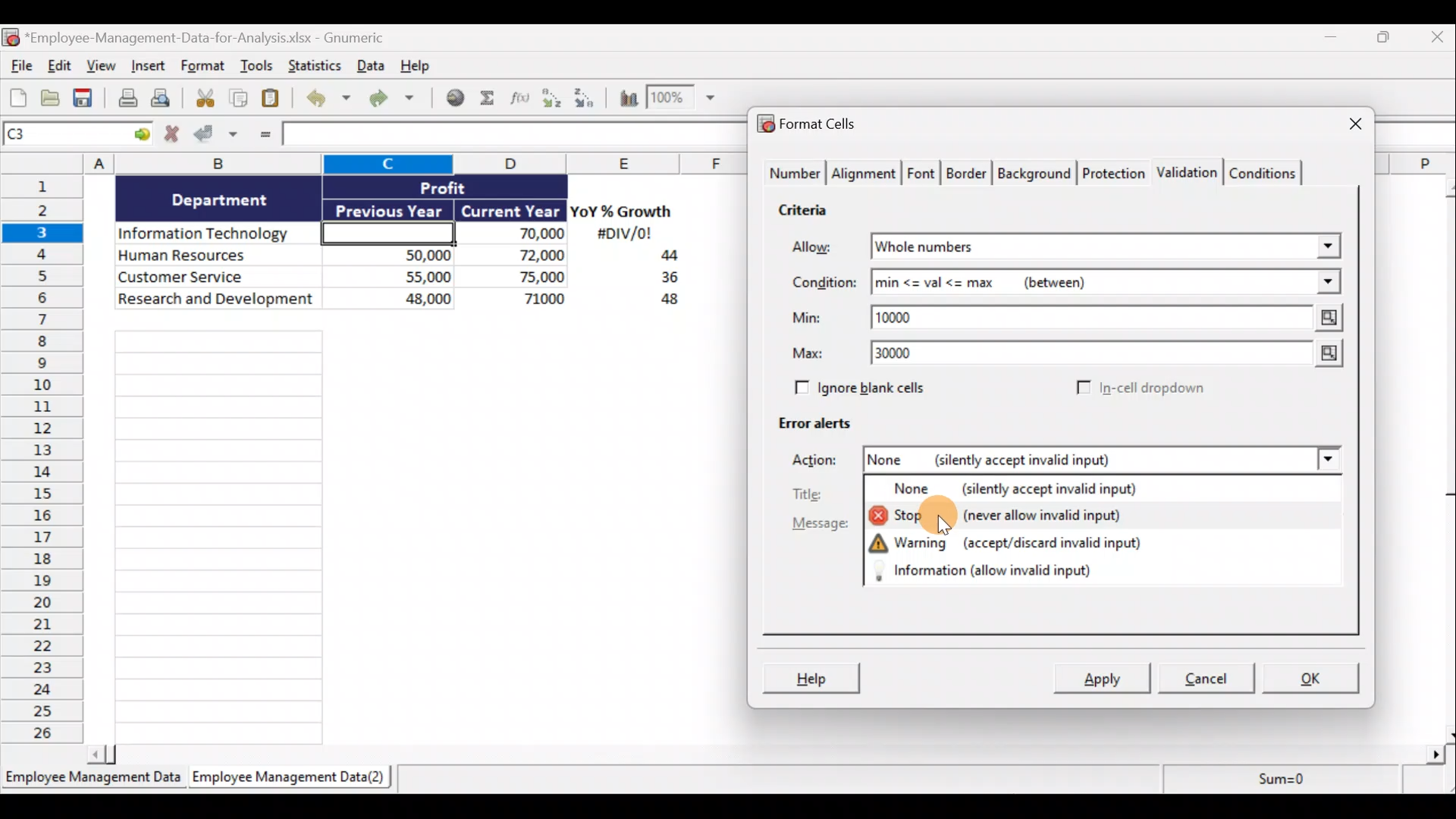  I want to click on Employee Management Data, so click(92, 780).